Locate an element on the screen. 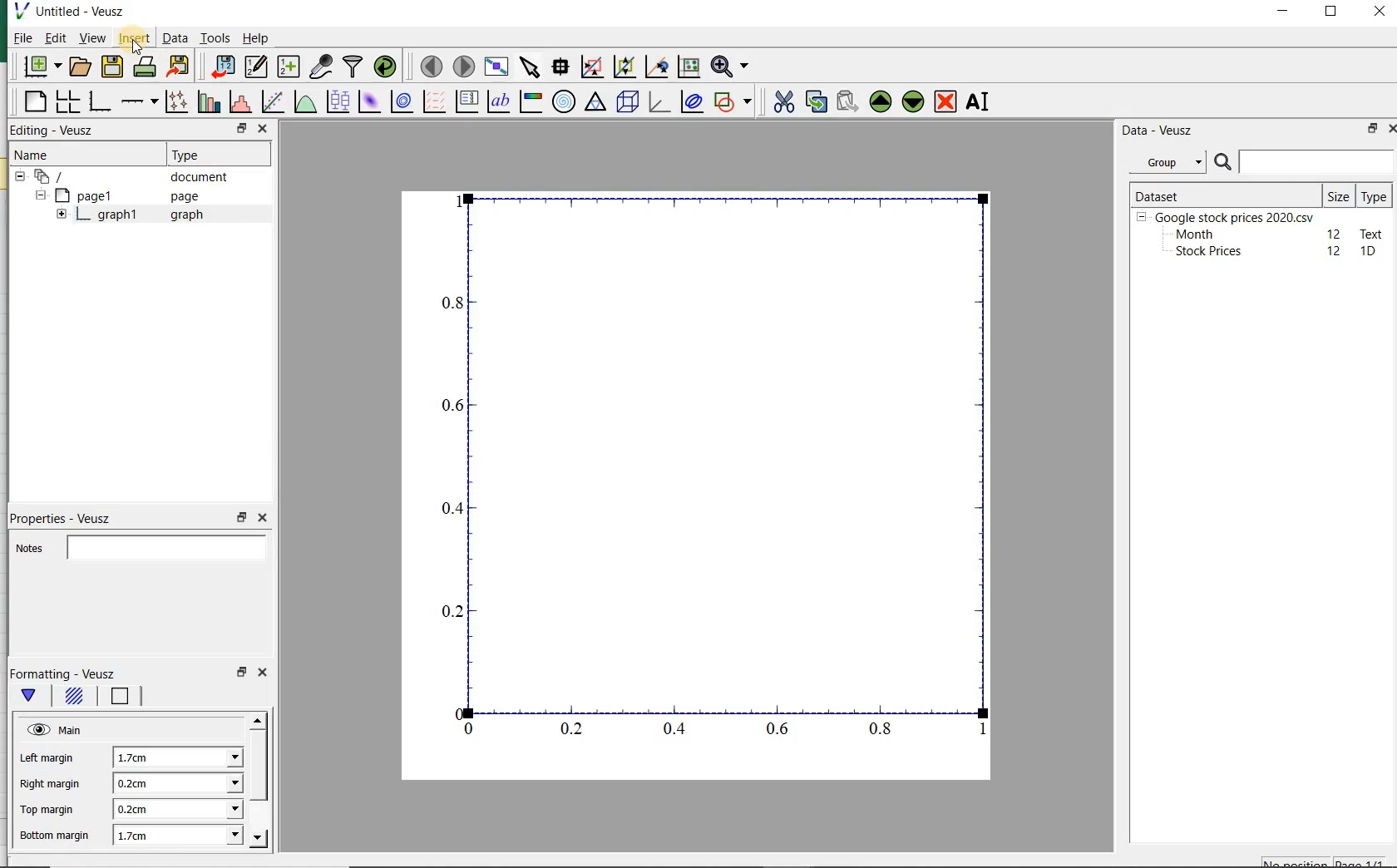 This screenshot has height=868, width=1397. click or draw a rectangle to zoom graph axes is located at coordinates (591, 67).